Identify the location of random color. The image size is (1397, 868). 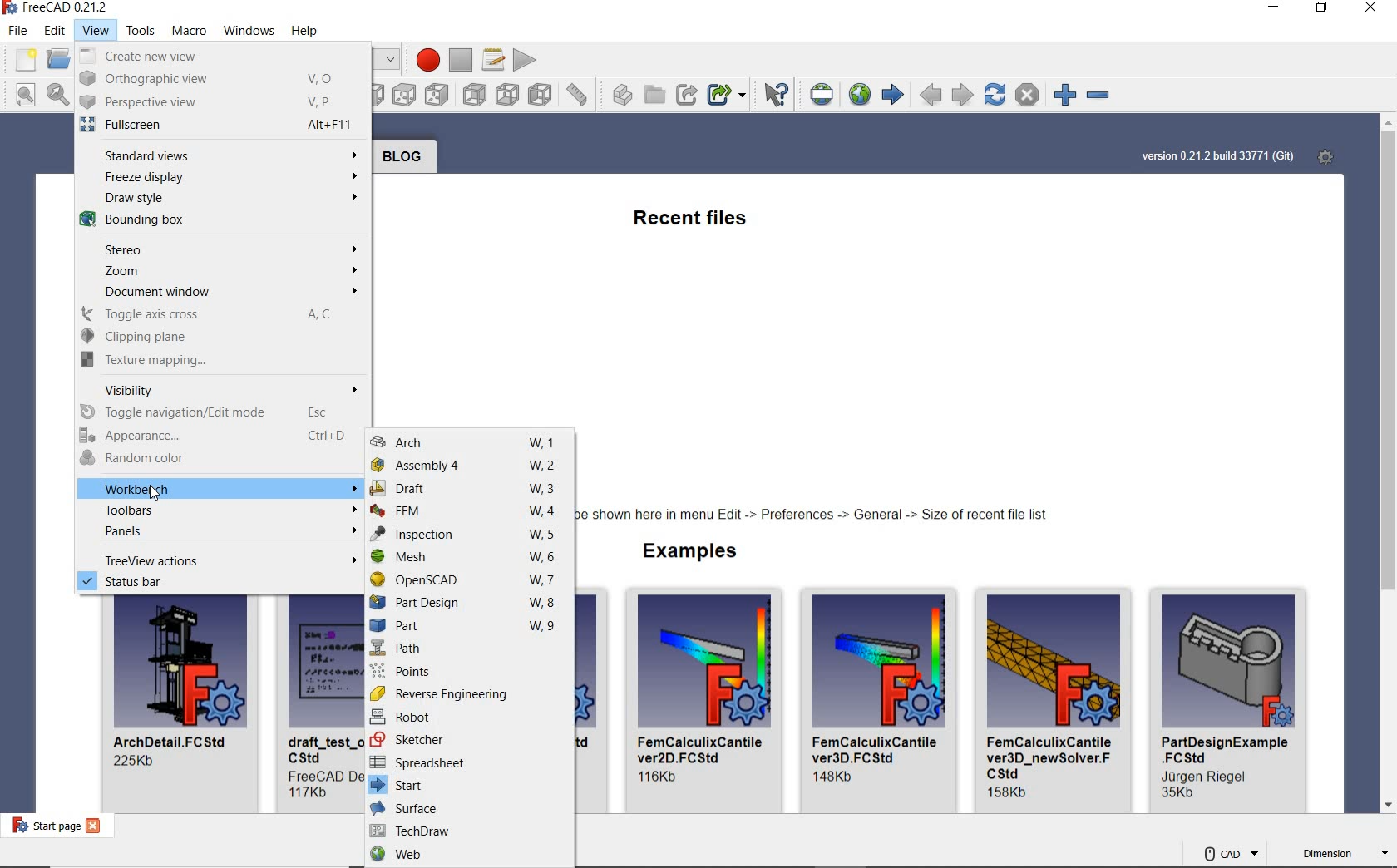
(220, 459).